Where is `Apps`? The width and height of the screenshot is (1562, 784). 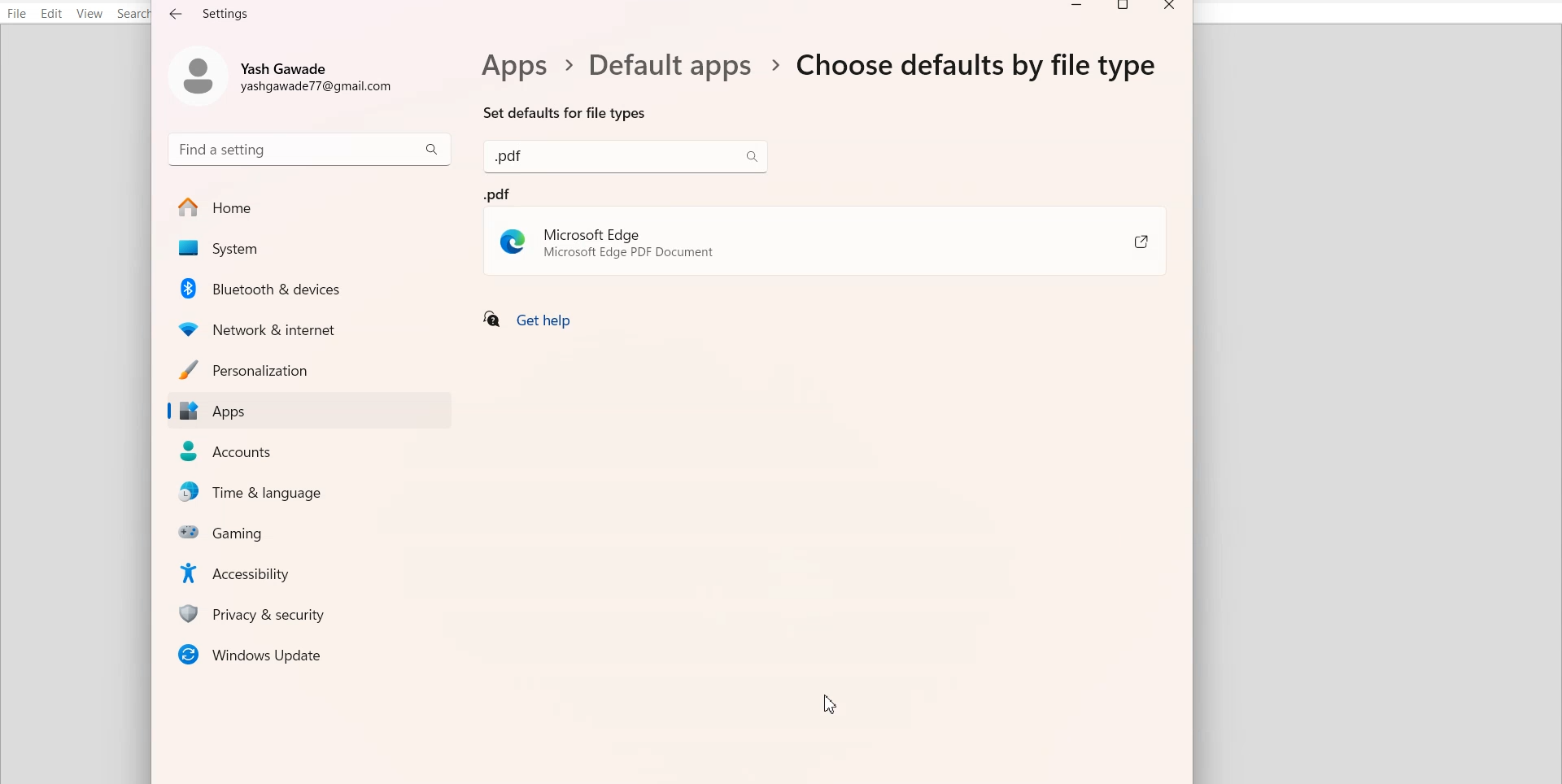
Apps is located at coordinates (308, 412).